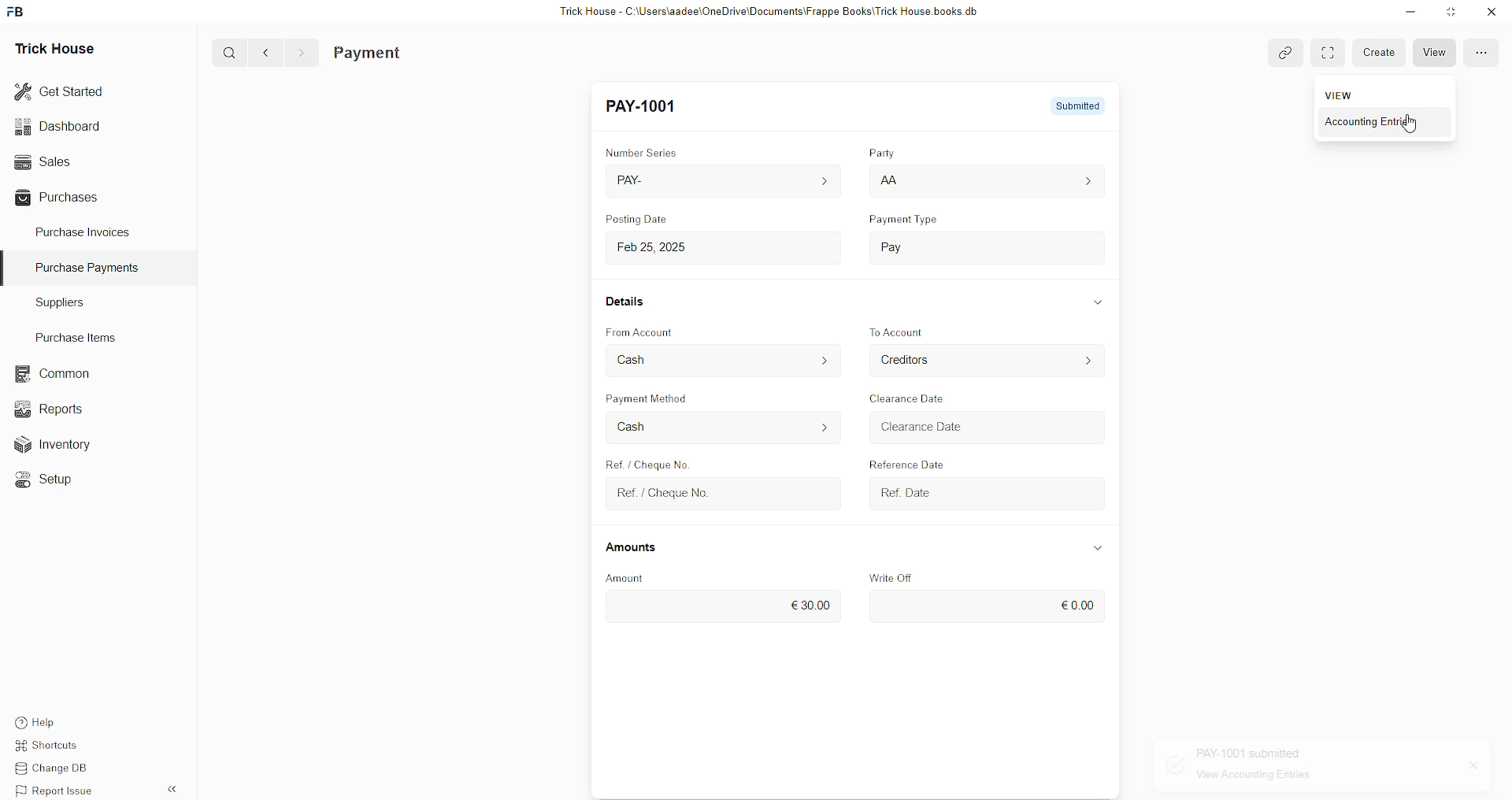 The height and width of the screenshot is (800, 1512). I want to click on minimise down, so click(1408, 12).